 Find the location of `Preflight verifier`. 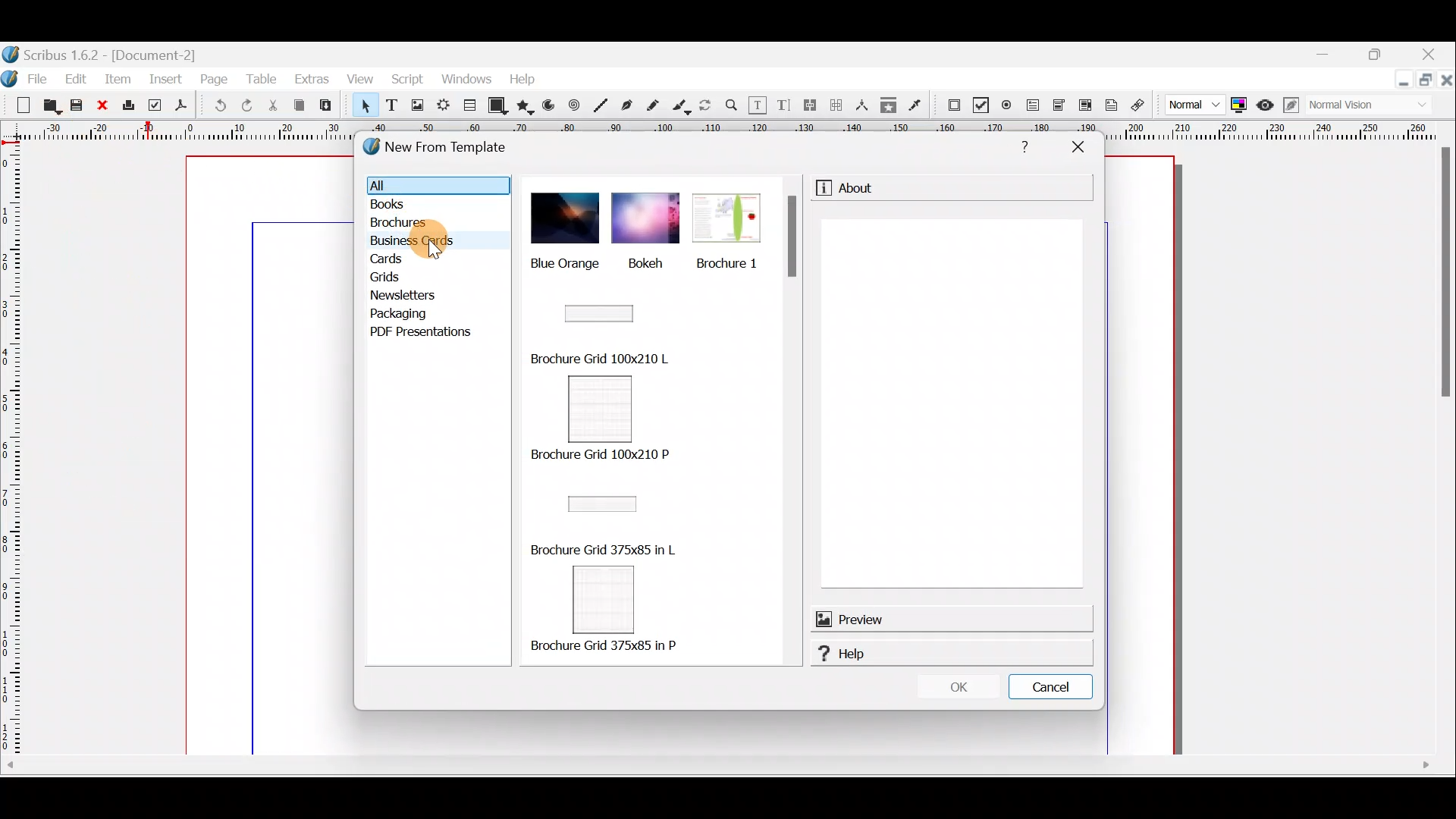

Preflight verifier is located at coordinates (152, 105).